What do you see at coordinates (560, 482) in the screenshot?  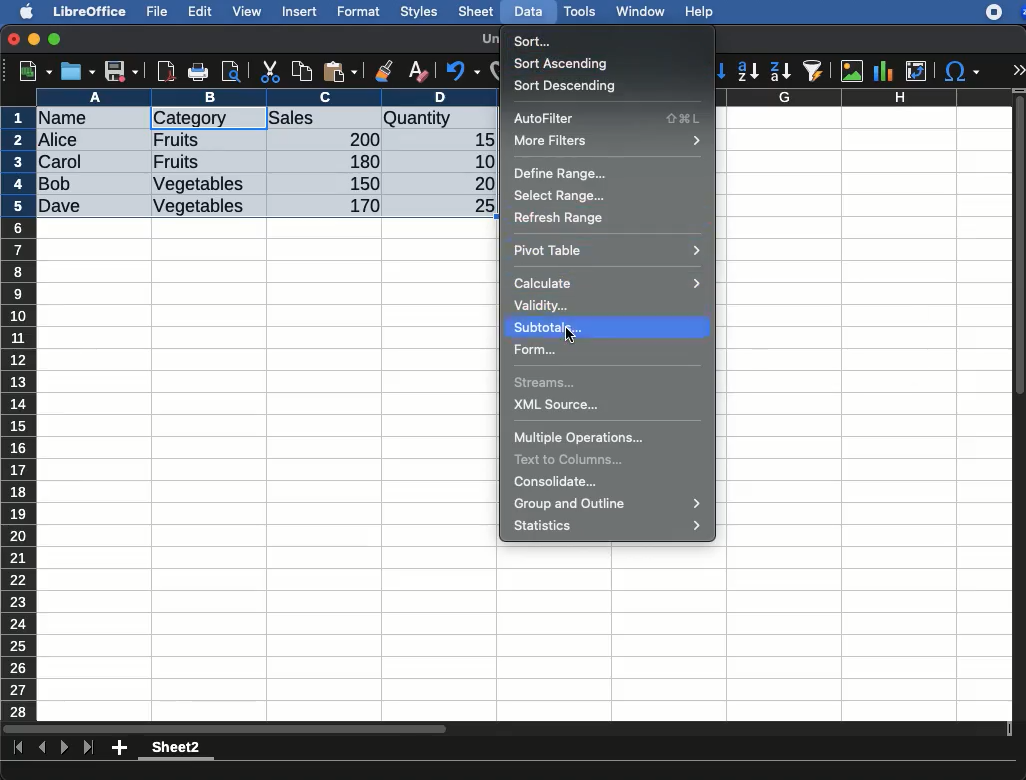 I see `consolidate` at bounding box center [560, 482].